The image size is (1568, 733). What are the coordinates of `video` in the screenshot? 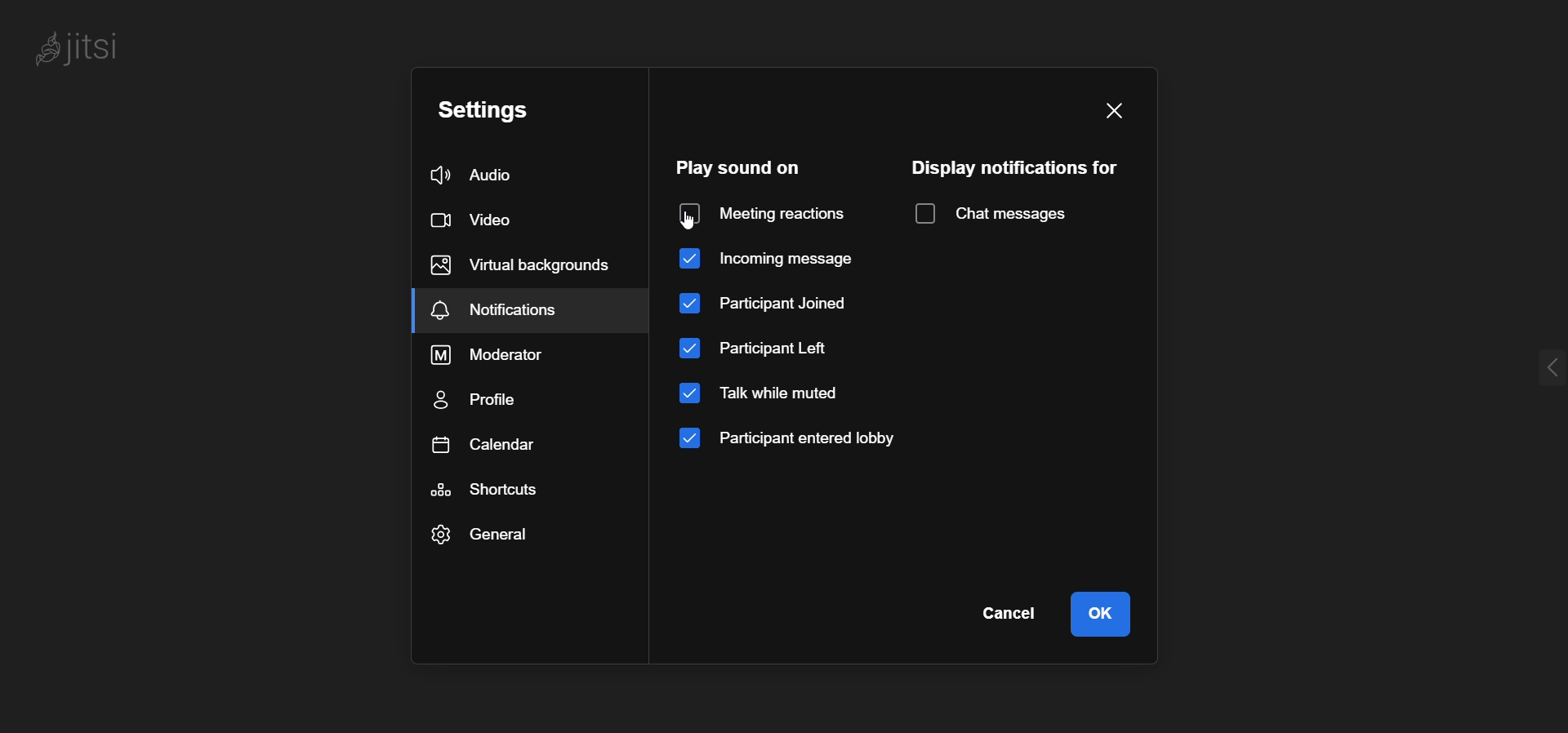 It's located at (481, 221).